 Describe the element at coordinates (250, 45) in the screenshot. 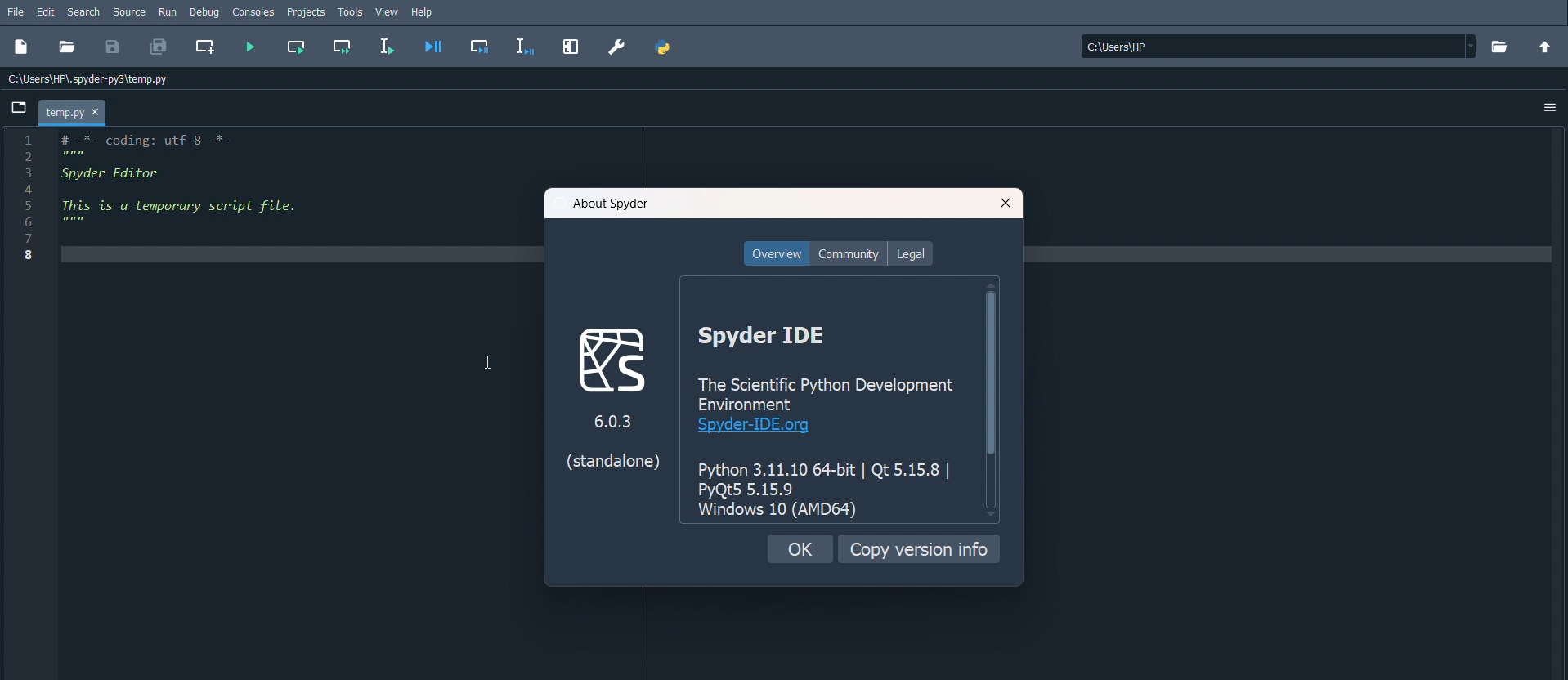

I see `Run file` at that location.